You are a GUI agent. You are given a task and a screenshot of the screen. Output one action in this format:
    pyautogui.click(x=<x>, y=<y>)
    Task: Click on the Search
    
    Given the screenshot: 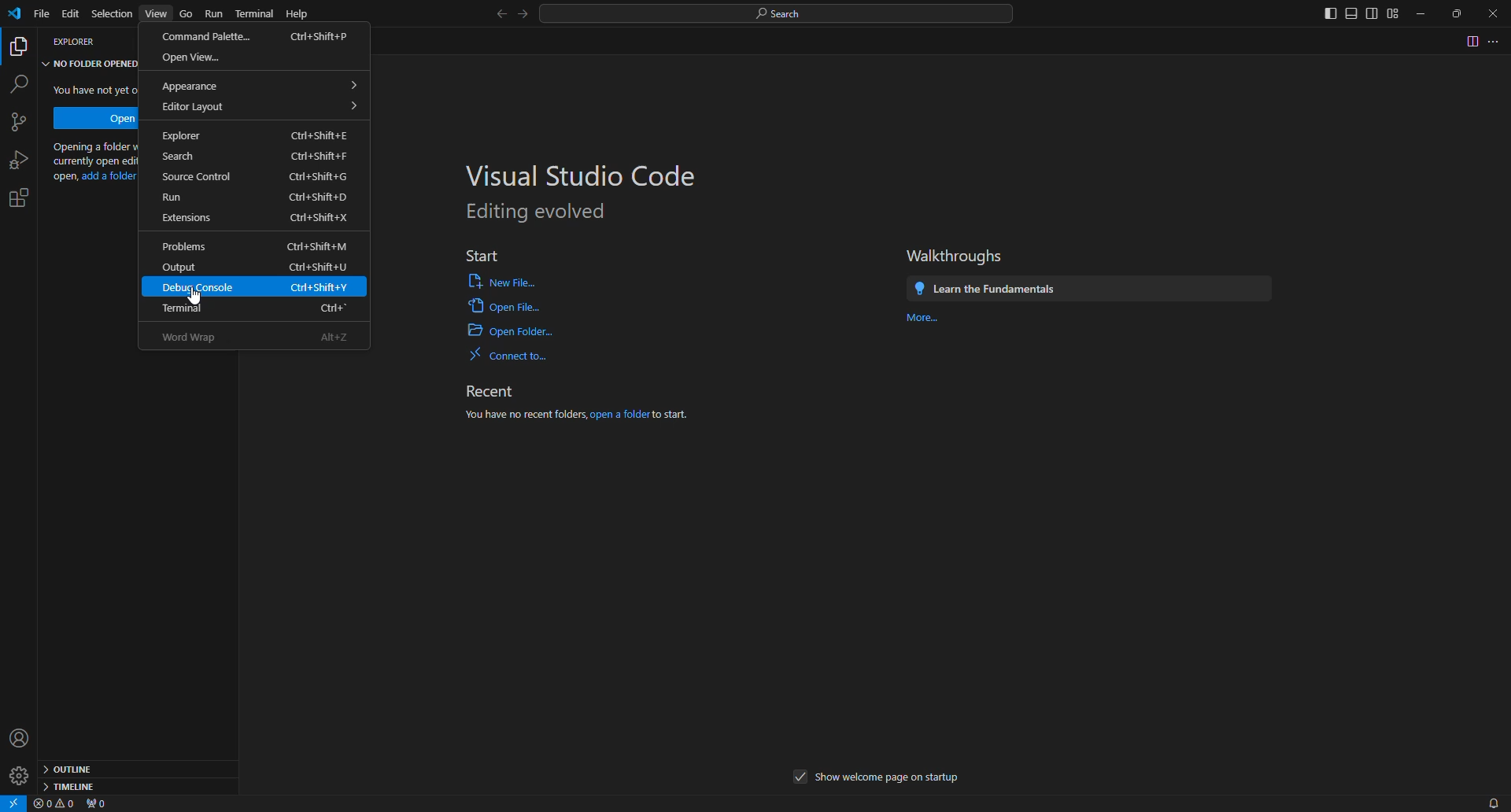 What is the action you would take?
    pyautogui.click(x=258, y=154)
    